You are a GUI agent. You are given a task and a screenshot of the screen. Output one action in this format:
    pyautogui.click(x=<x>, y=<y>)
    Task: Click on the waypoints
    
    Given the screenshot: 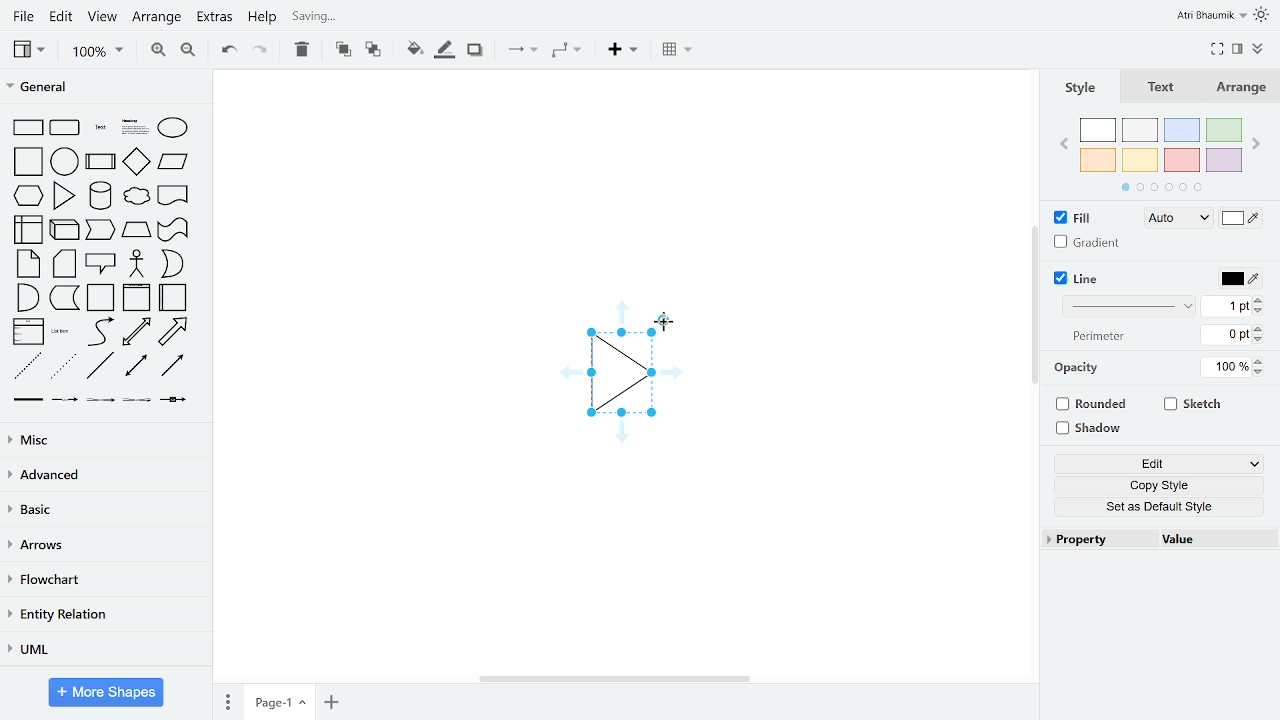 What is the action you would take?
    pyautogui.click(x=565, y=52)
    